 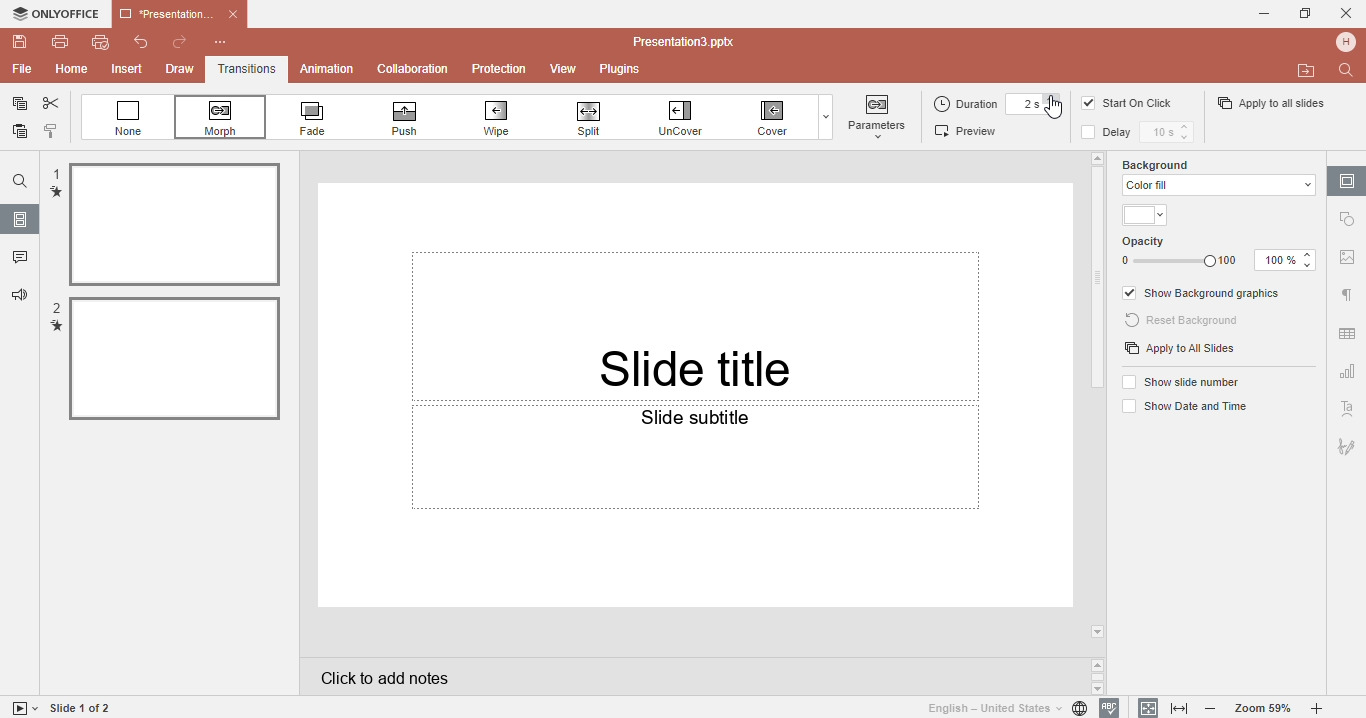 I want to click on Spell checking, so click(x=1110, y=708).